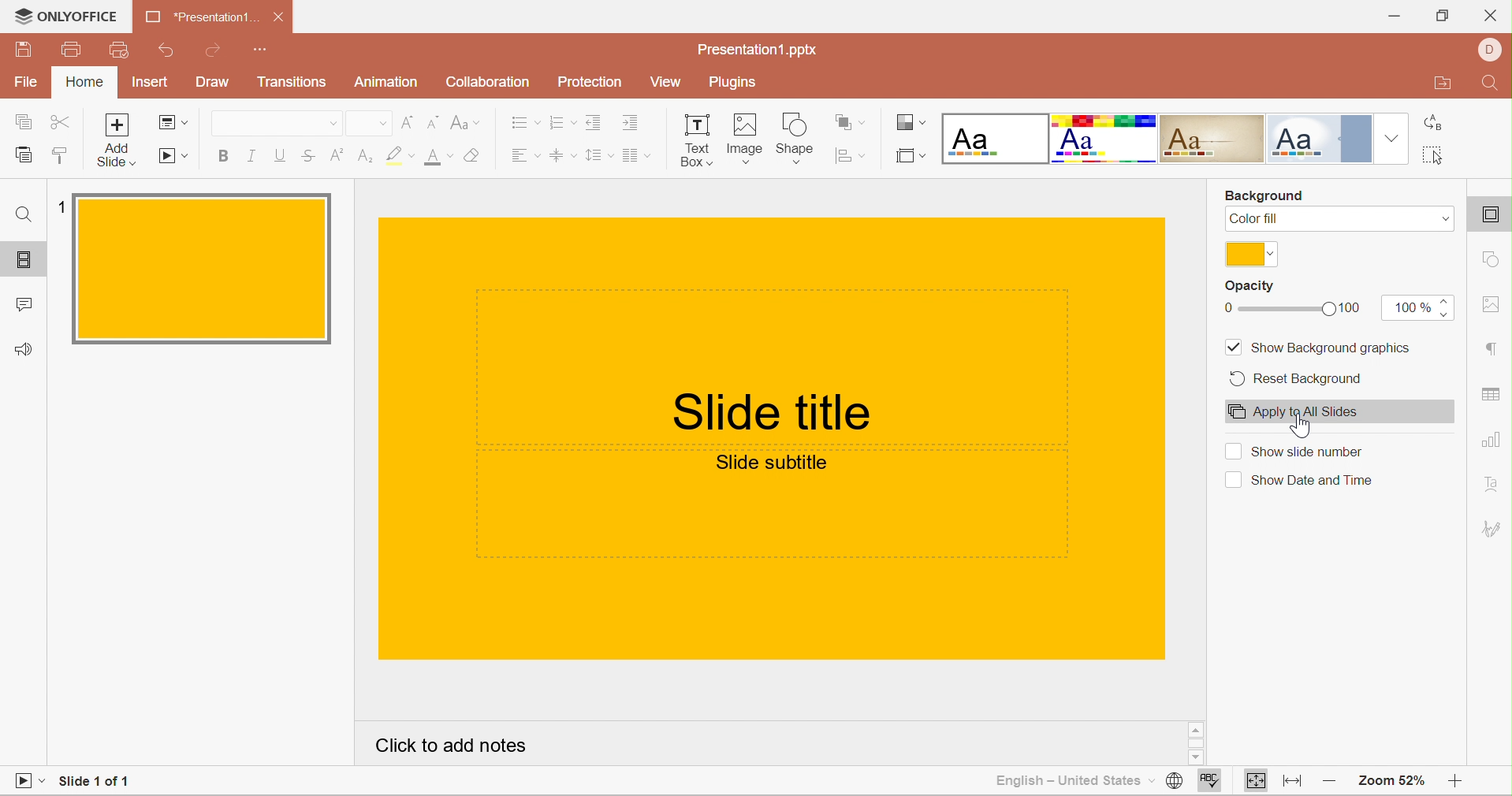 The image size is (1512, 796). What do you see at coordinates (1442, 17) in the screenshot?
I see `Restore Down` at bounding box center [1442, 17].